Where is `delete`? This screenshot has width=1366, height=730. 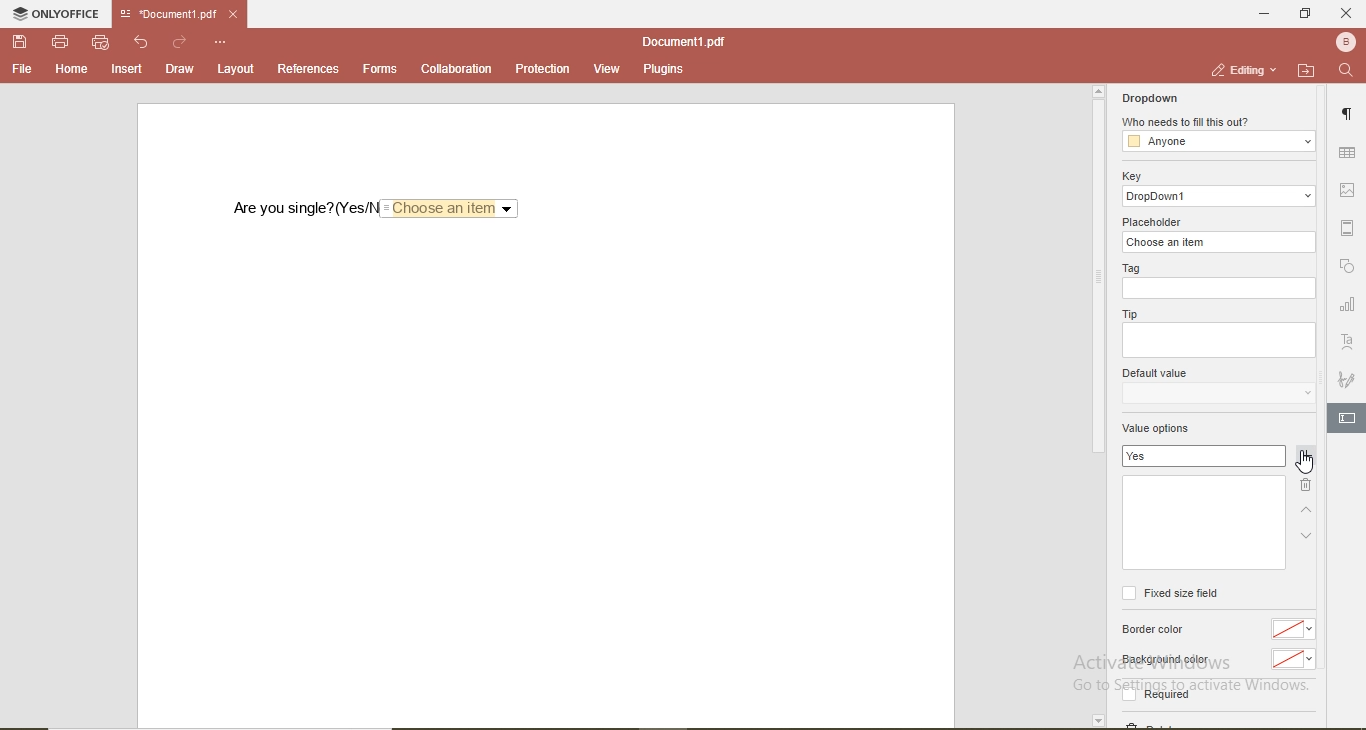 delete is located at coordinates (1305, 484).